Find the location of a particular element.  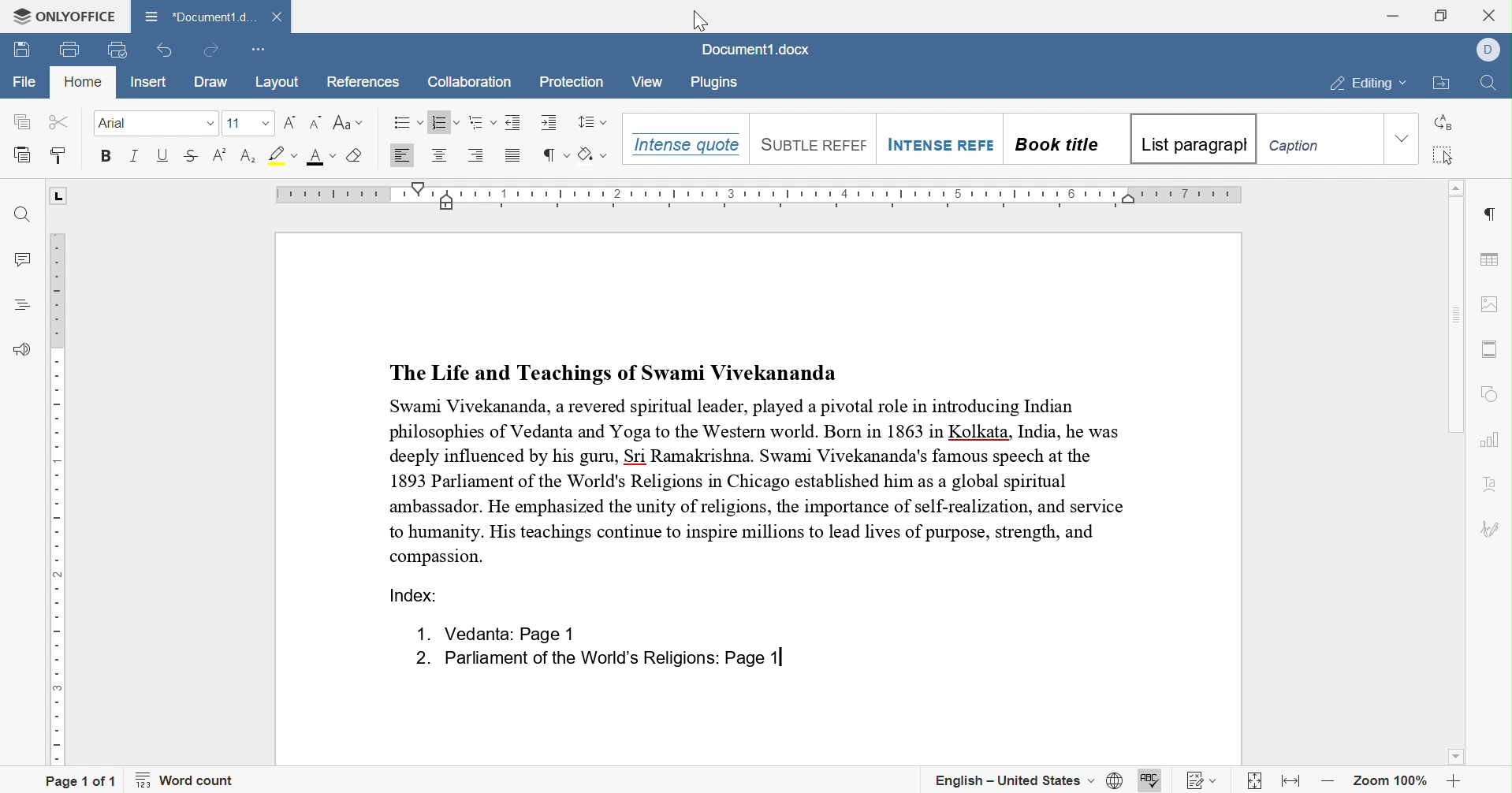

ONLYOFFICE is located at coordinates (65, 17).